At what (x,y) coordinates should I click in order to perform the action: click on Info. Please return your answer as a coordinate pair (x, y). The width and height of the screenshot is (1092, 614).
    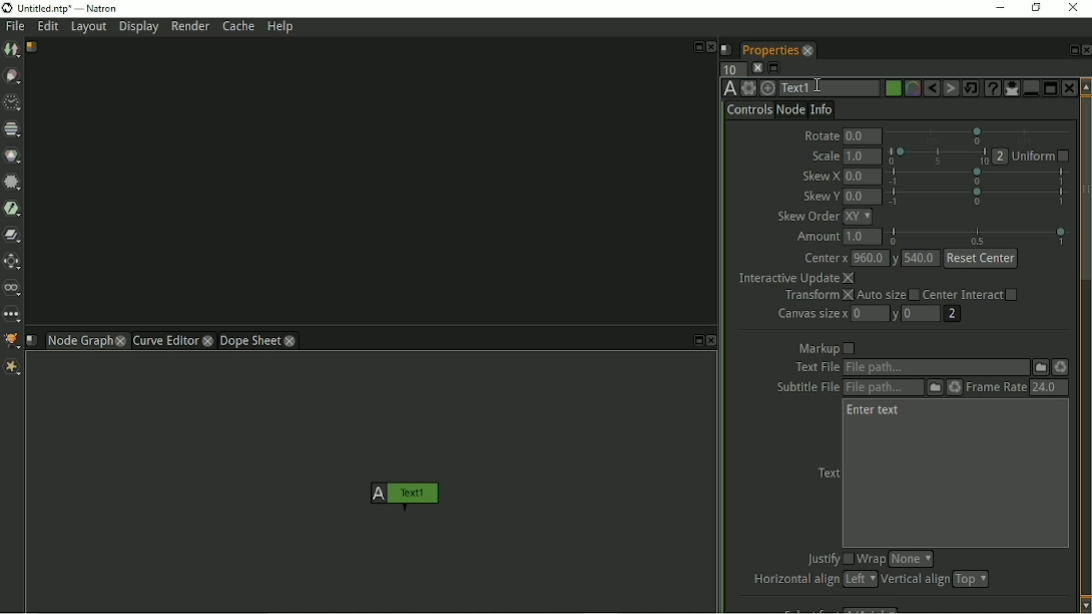
    Looking at the image, I should click on (822, 108).